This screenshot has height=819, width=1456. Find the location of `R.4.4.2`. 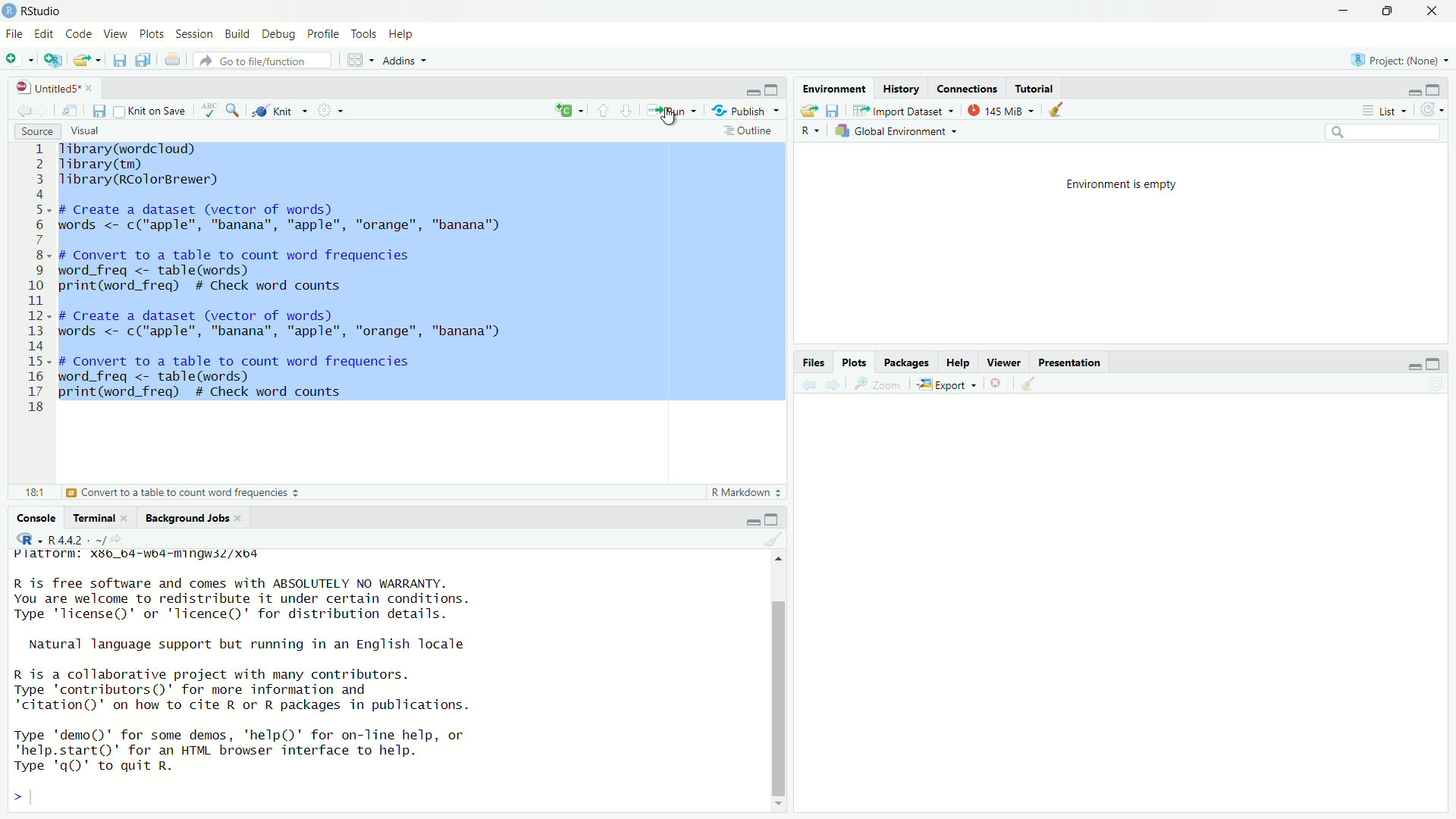

R.4.4.2 is located at coordinates (62, 539).